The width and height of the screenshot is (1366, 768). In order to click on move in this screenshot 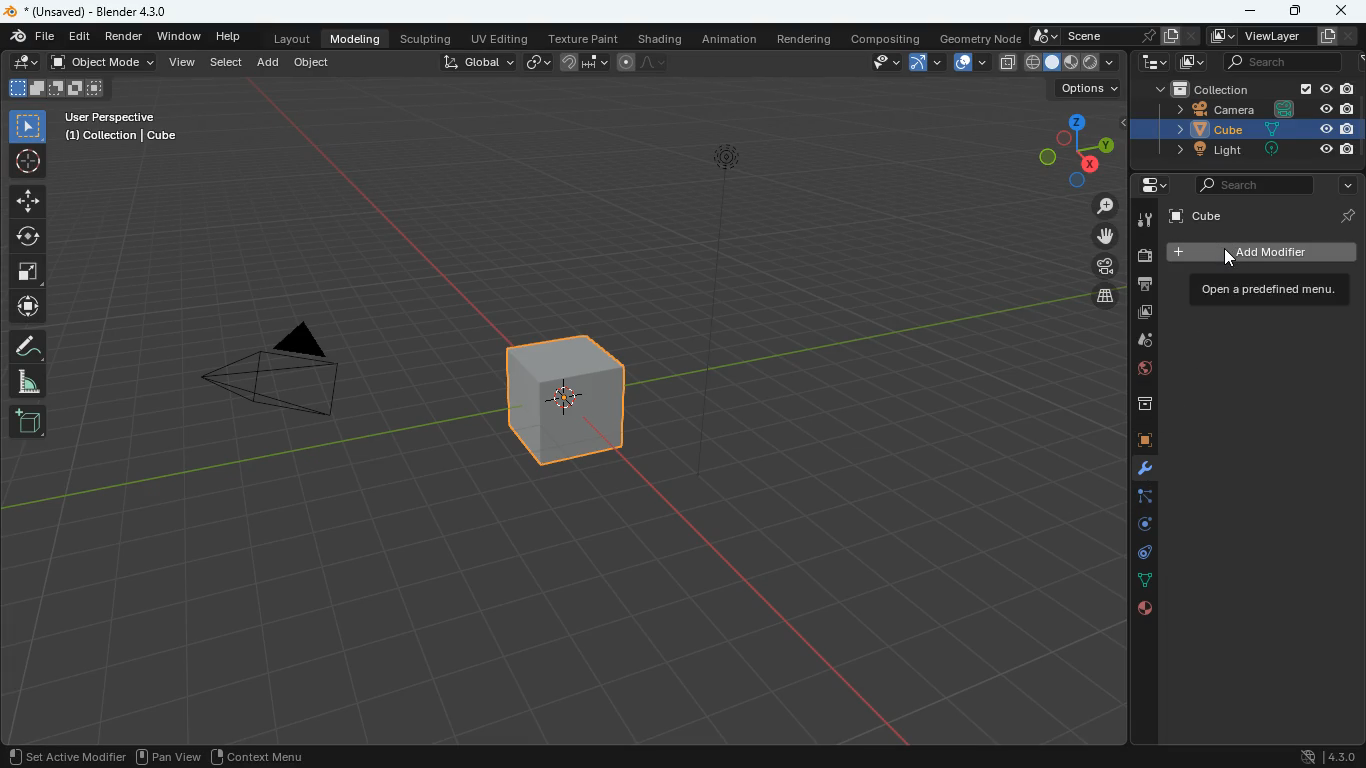, I will do `click(23, 202)`.